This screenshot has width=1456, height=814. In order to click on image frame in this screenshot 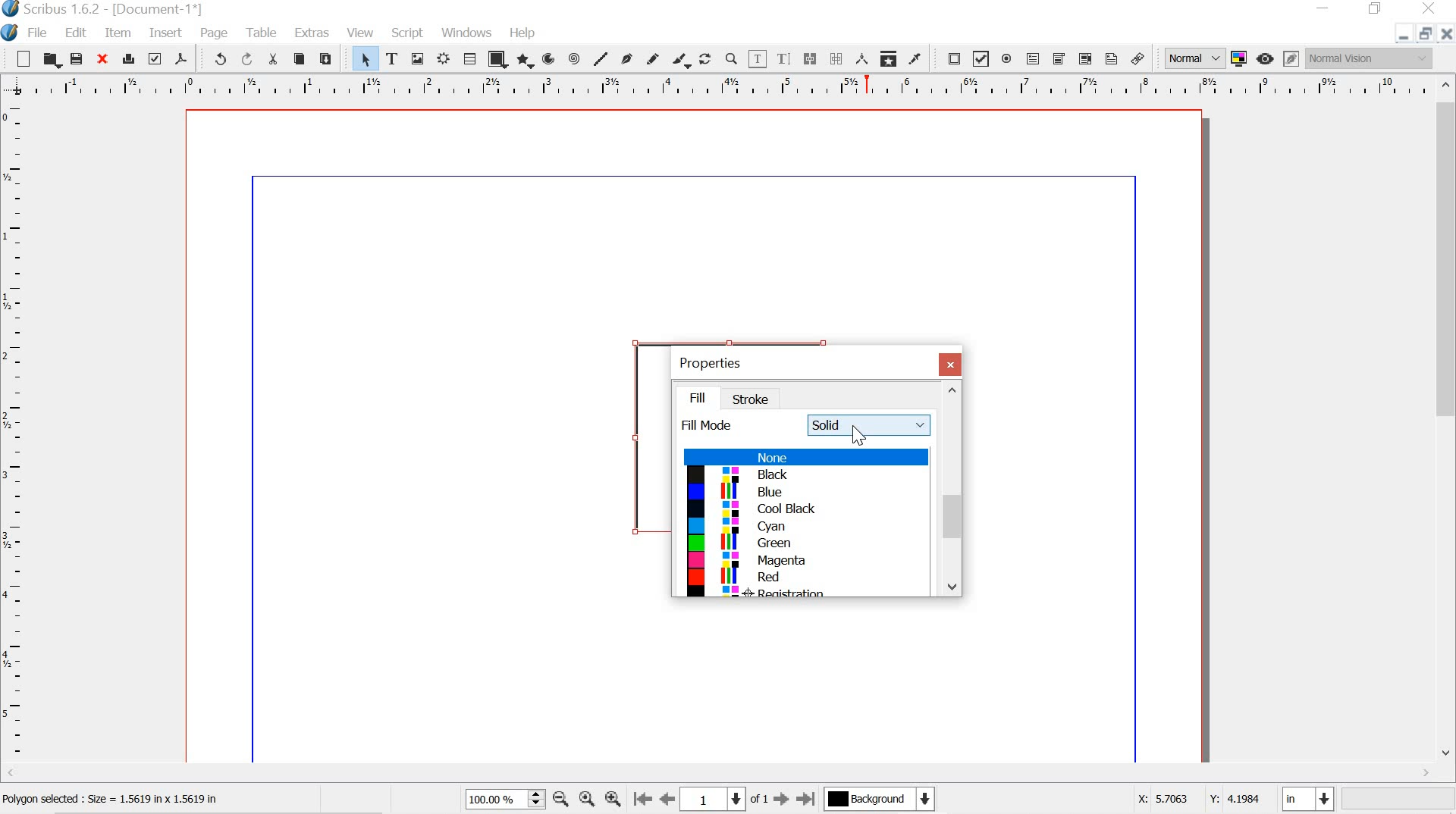, I will do `click(418, 58)`.